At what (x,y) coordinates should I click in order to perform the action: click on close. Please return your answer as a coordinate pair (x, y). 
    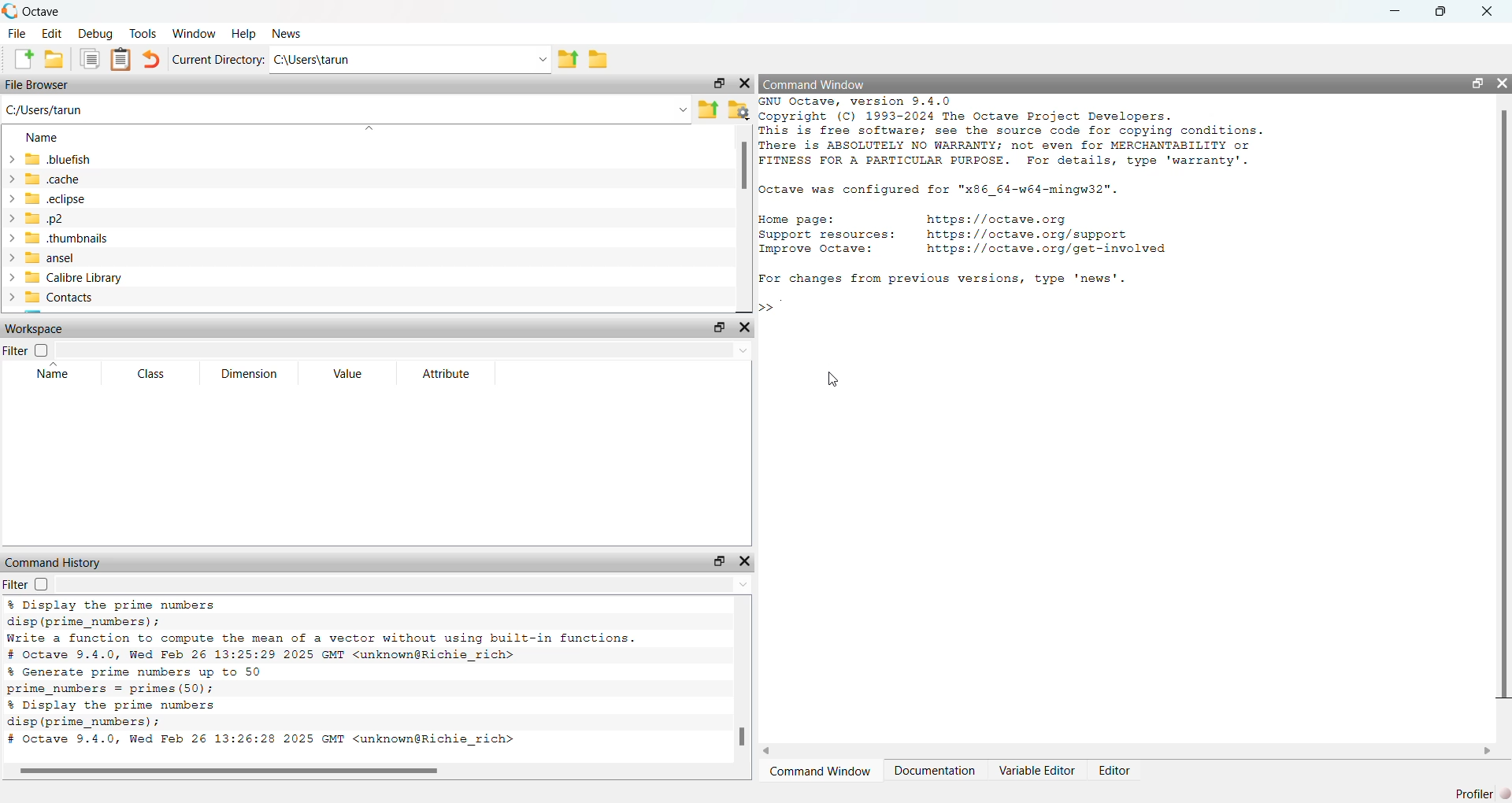
    Looking at the image, I should click on (745, 561).